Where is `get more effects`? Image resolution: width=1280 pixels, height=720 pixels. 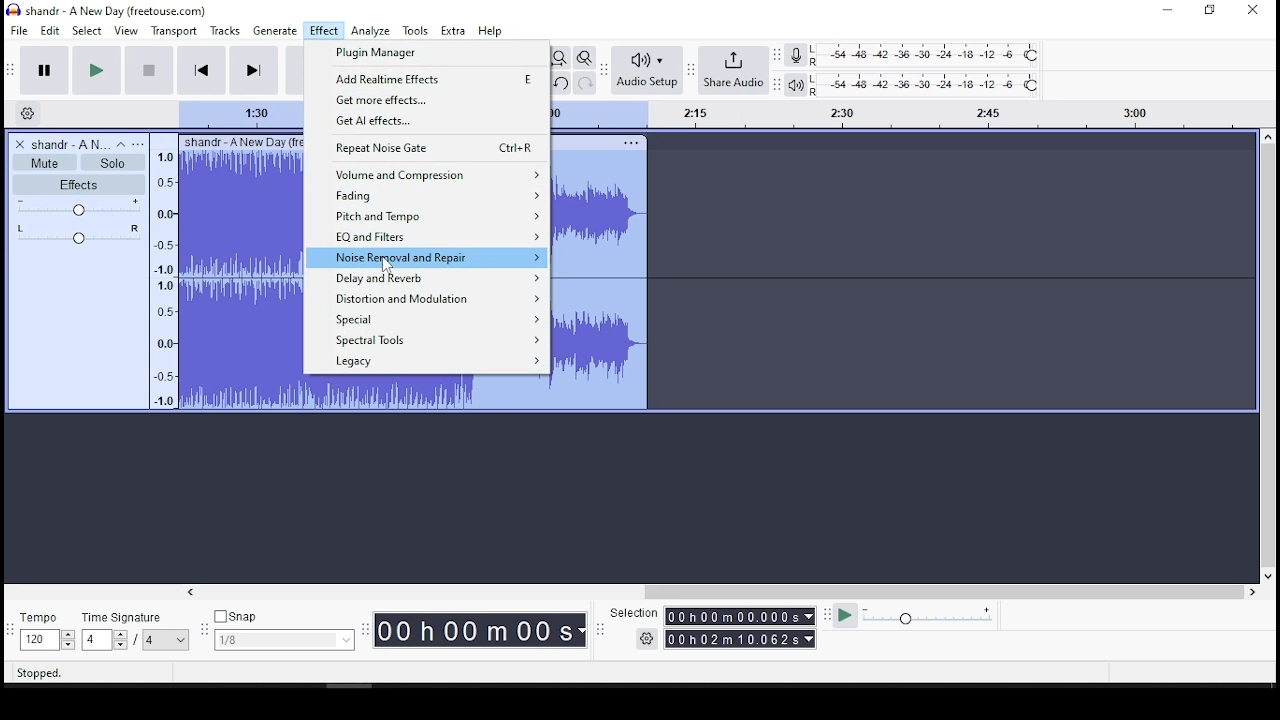
get more effects is located at coordinates (429, 99).